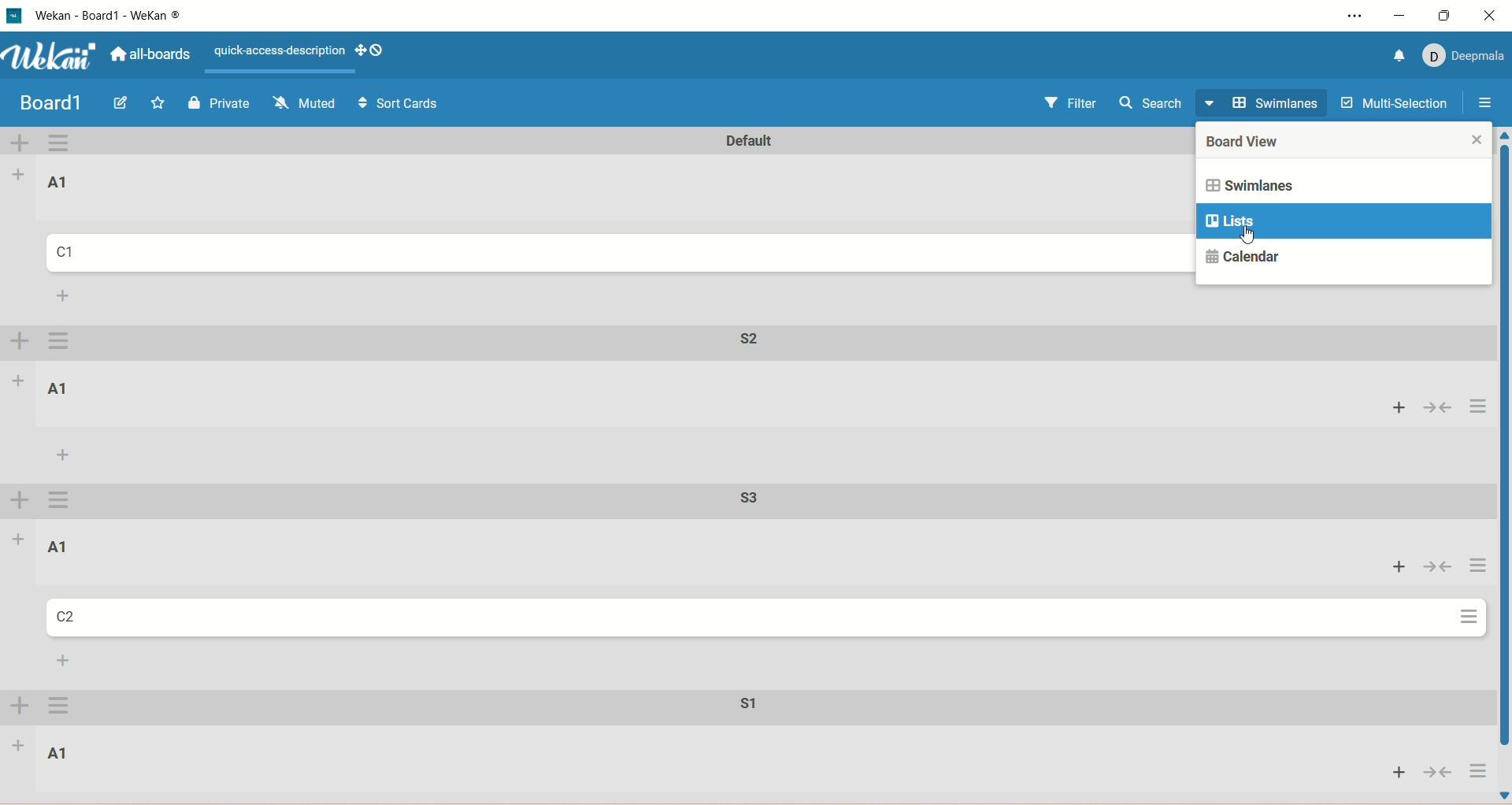 This screenshot has height=805, width=1512. I want to click on list title, so click(55, 547).